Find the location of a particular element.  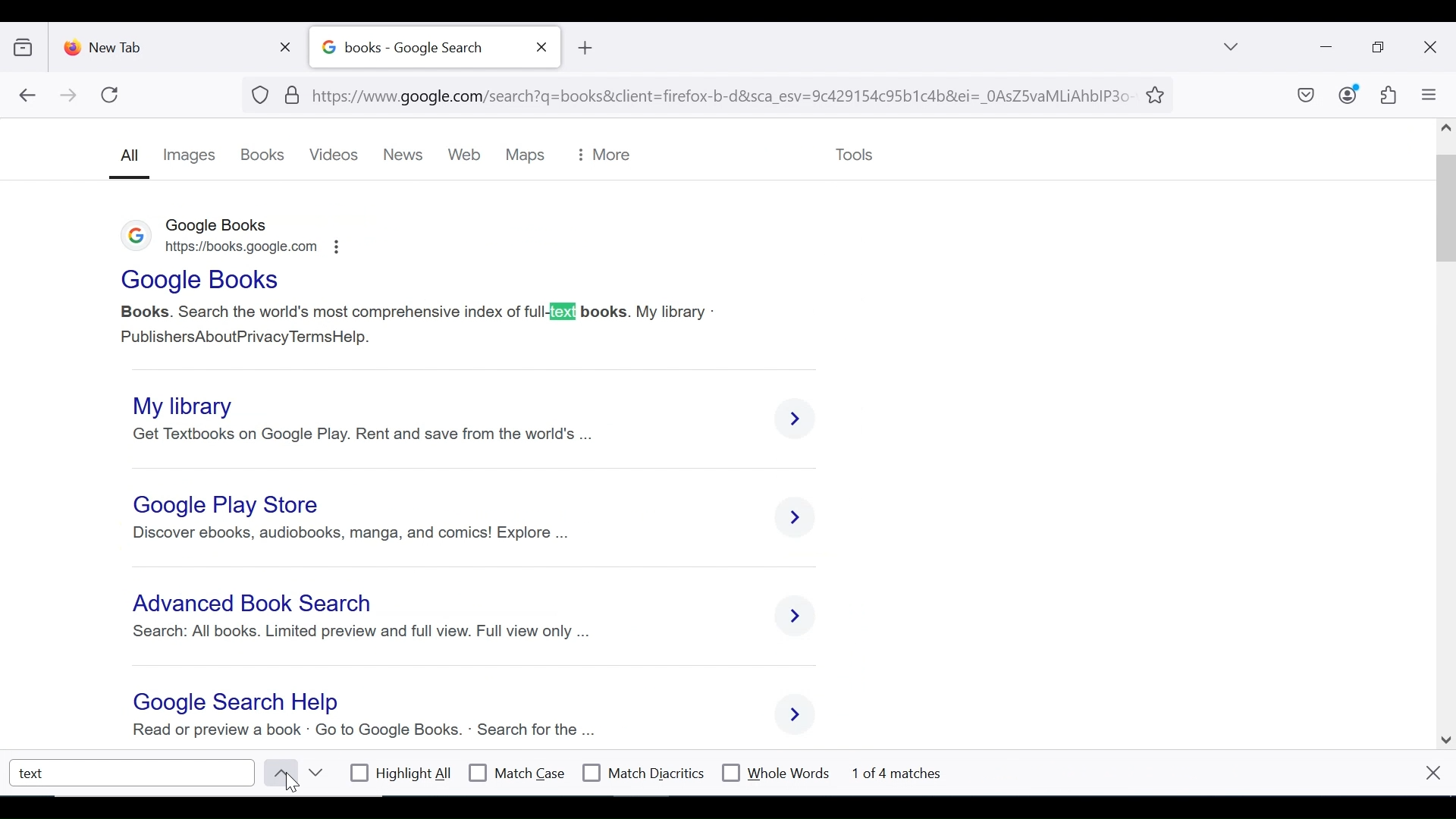

new tab is located at coordinates (163, 44).